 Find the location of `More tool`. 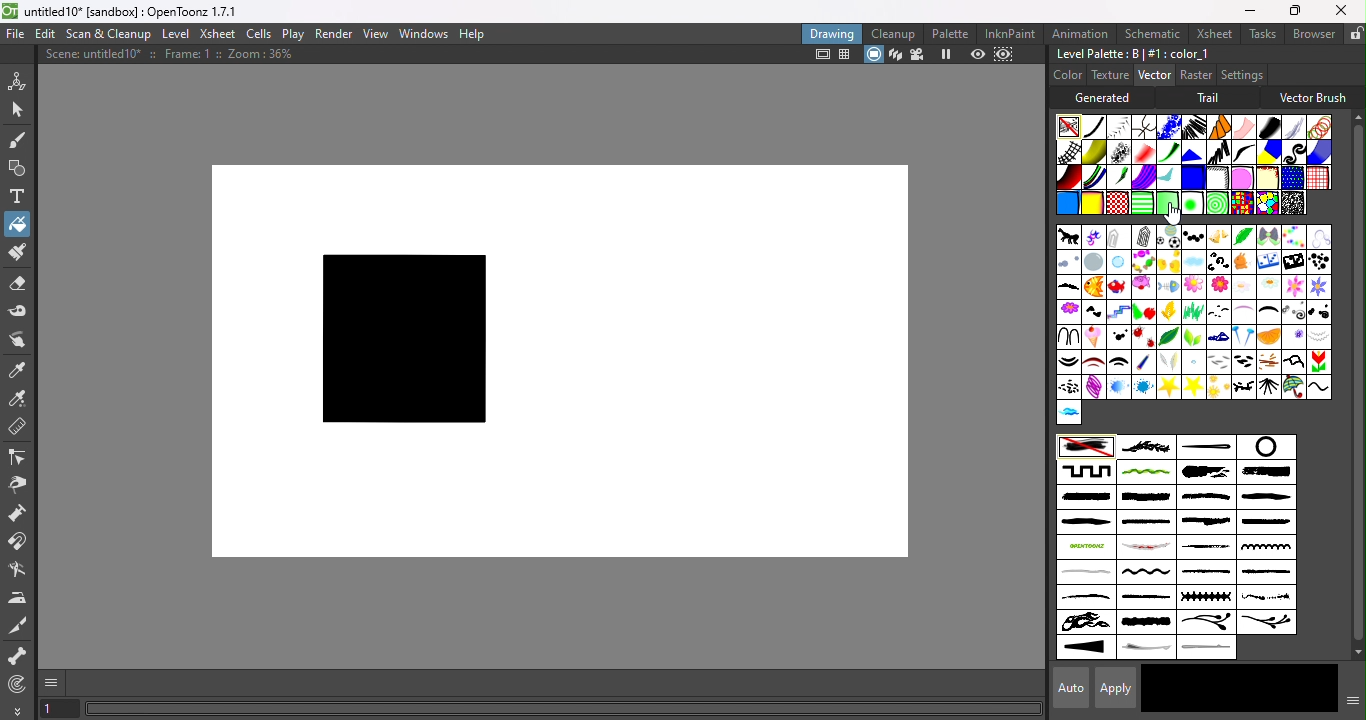

More tool is located at coordinates (18, 710).